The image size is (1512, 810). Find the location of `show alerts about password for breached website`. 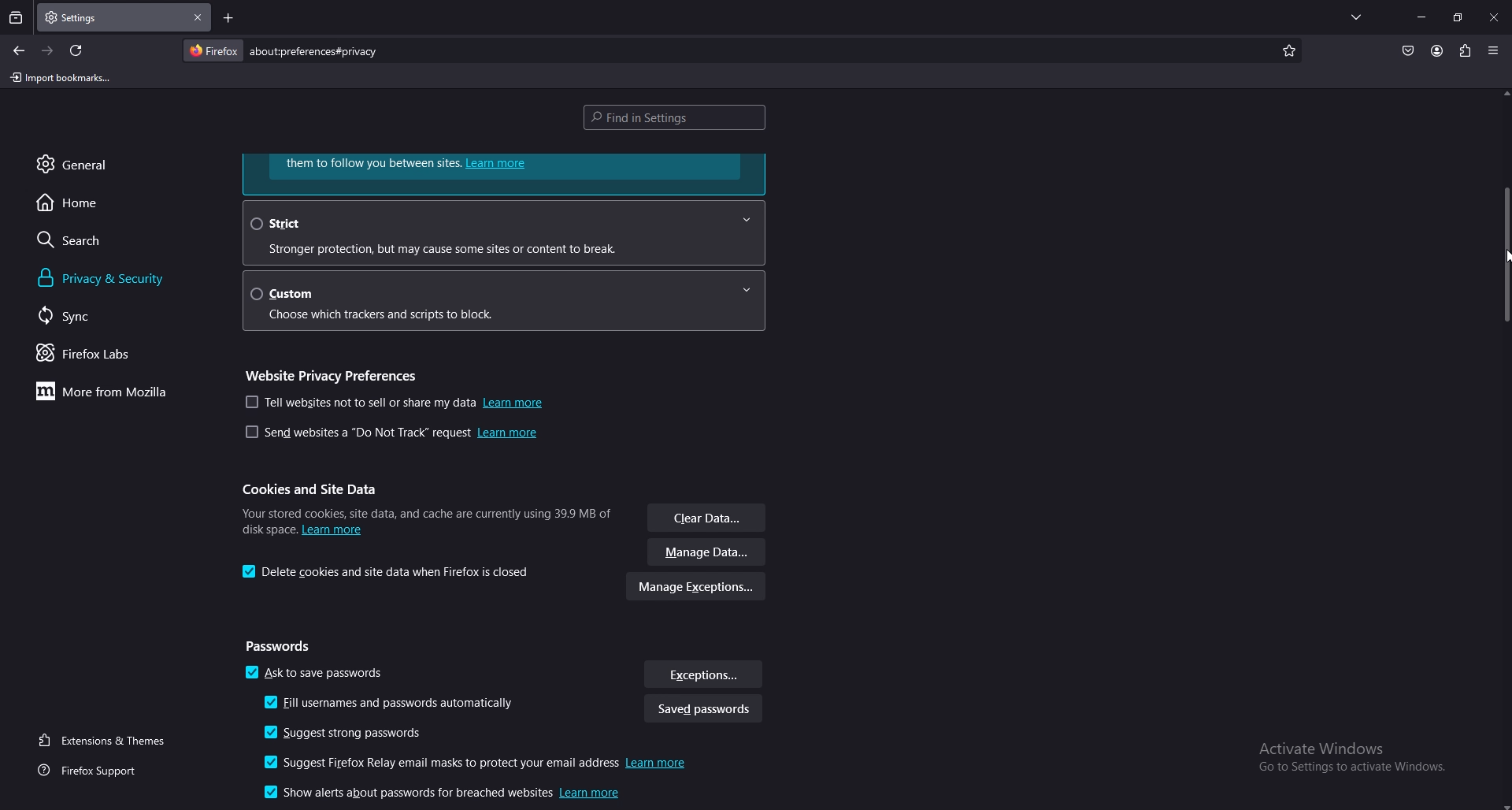

show alerts about password for breached website is located at coordinates (447, 795).